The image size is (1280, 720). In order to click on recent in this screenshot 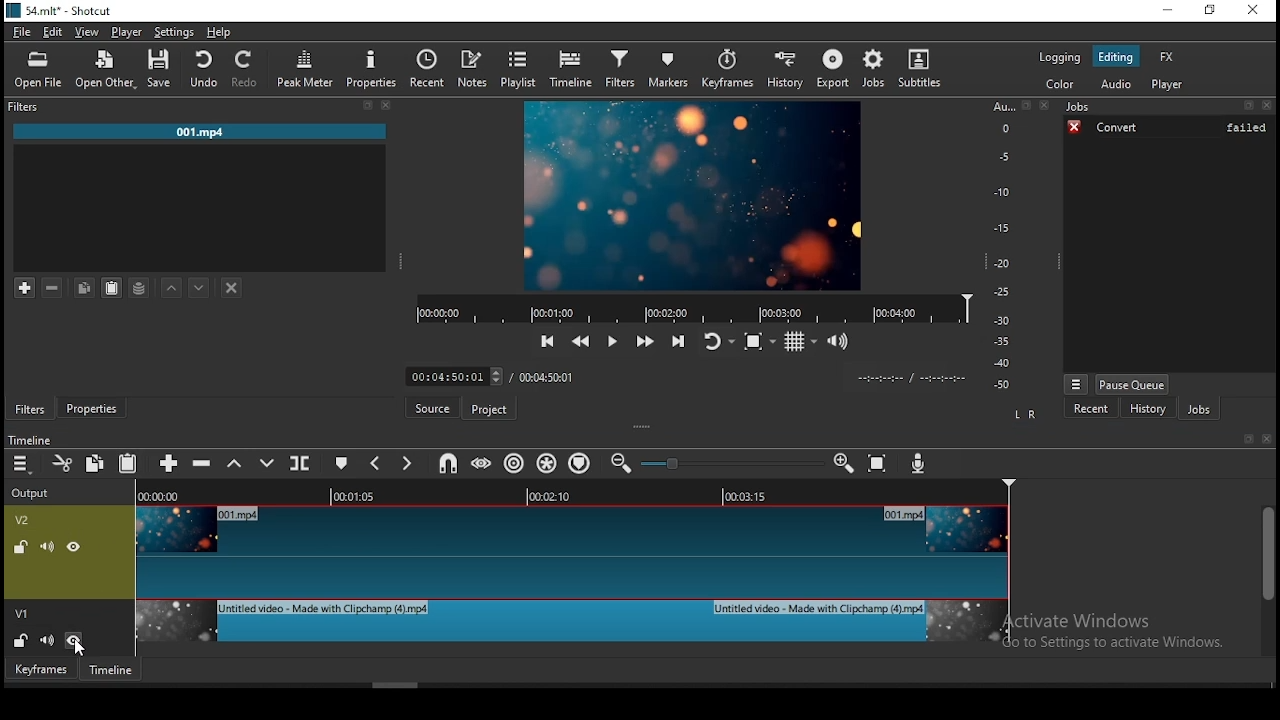, I will do `click(428, 66)`.